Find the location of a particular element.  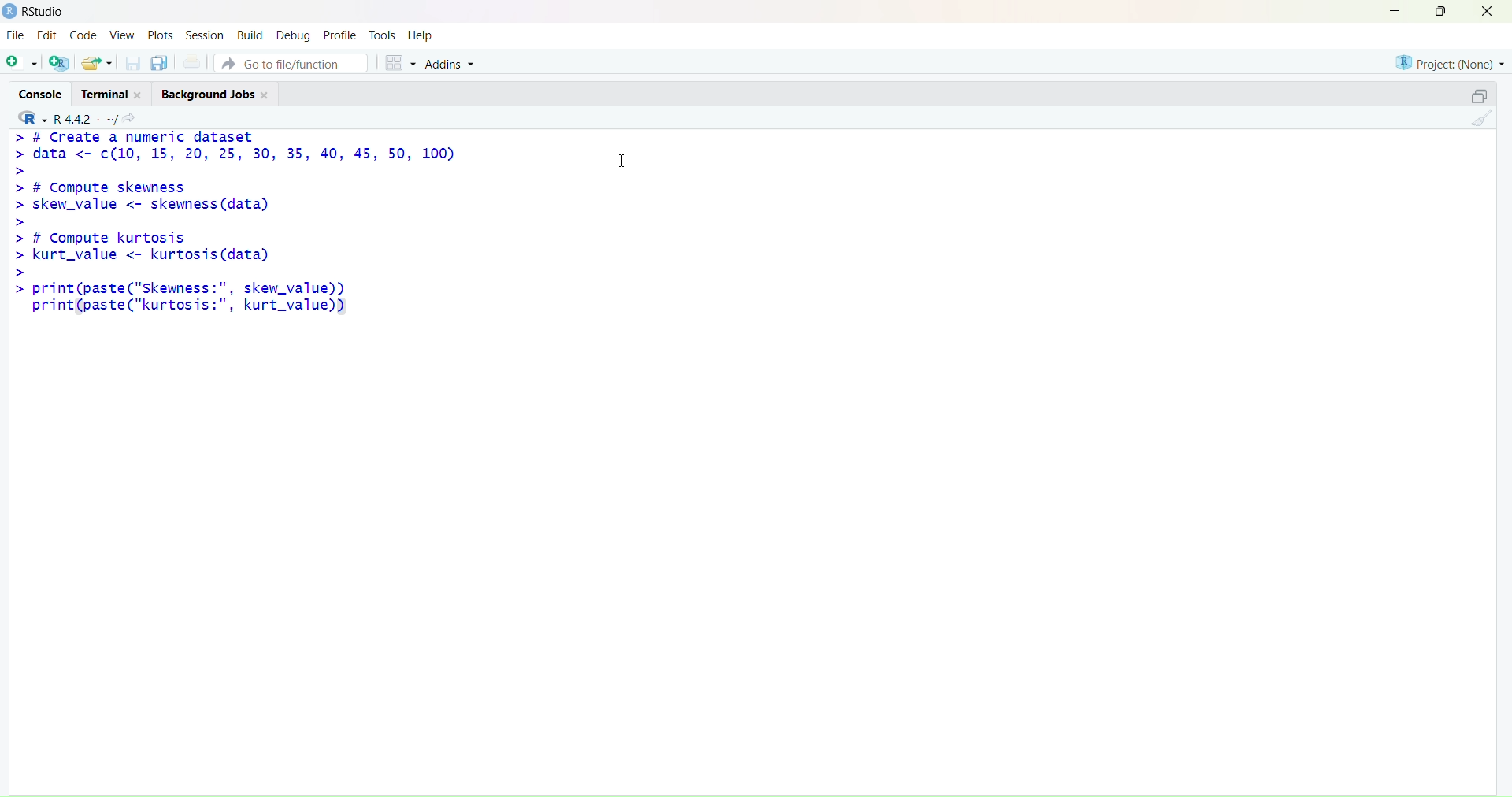

RStudio is located at coordinates (33, 12).